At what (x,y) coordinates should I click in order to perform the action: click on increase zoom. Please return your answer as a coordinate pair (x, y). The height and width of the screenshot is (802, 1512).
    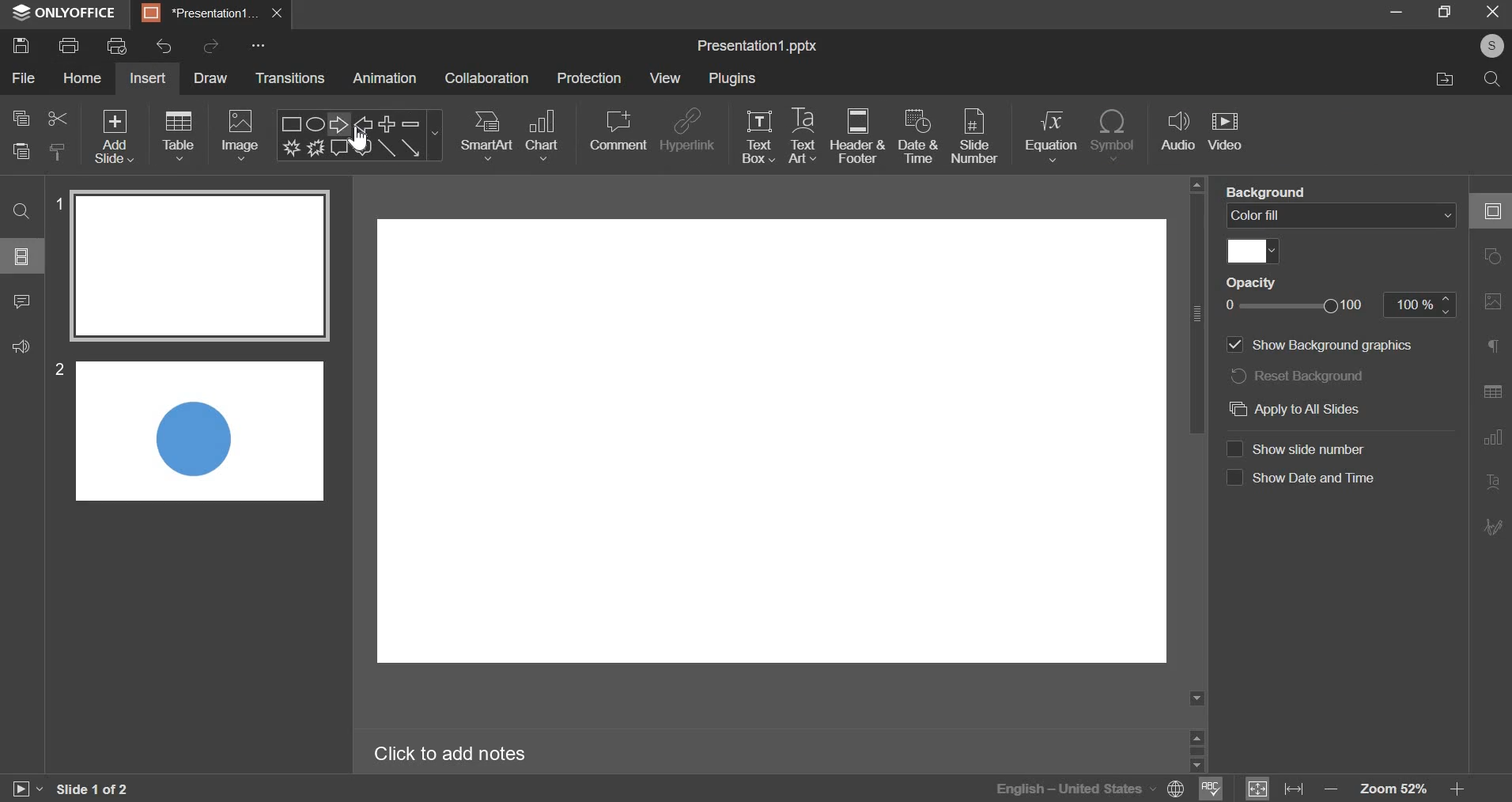
    Looking at the image, I should click on (1455, 785).